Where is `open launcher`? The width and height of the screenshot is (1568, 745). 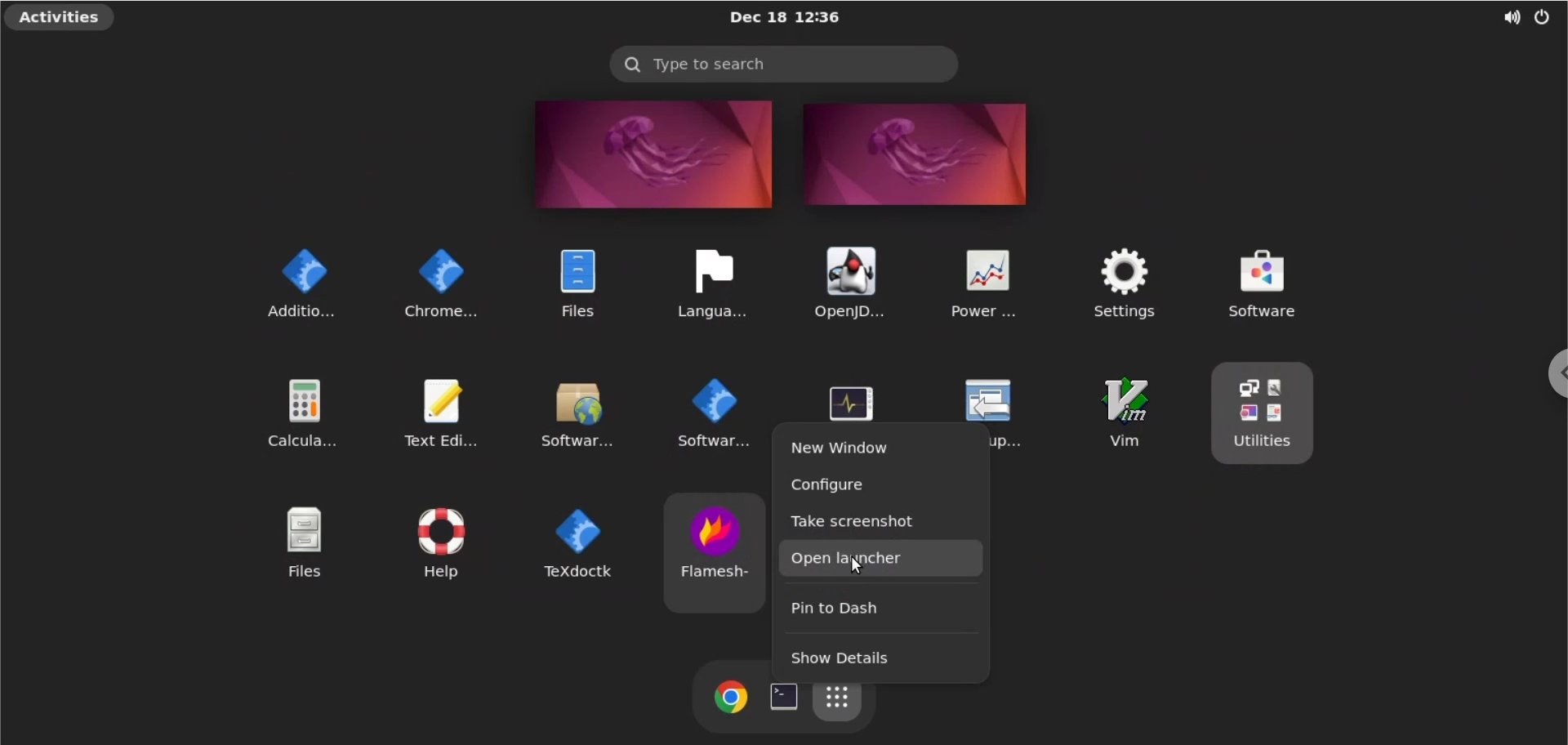
open launcher is located at coordinates (888, 559).